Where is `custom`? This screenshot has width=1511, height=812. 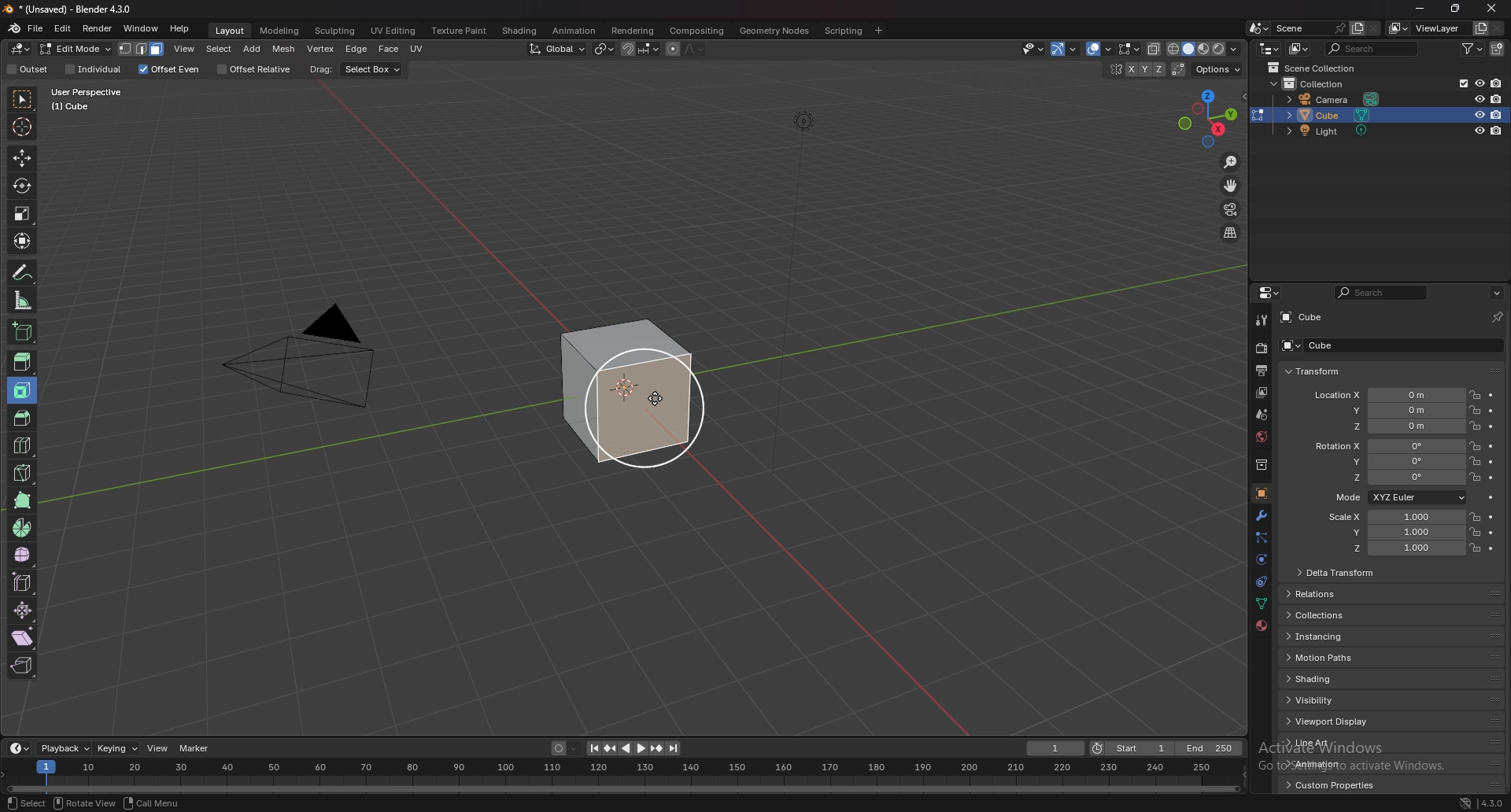 custom is located at coordinates (1326, 788).